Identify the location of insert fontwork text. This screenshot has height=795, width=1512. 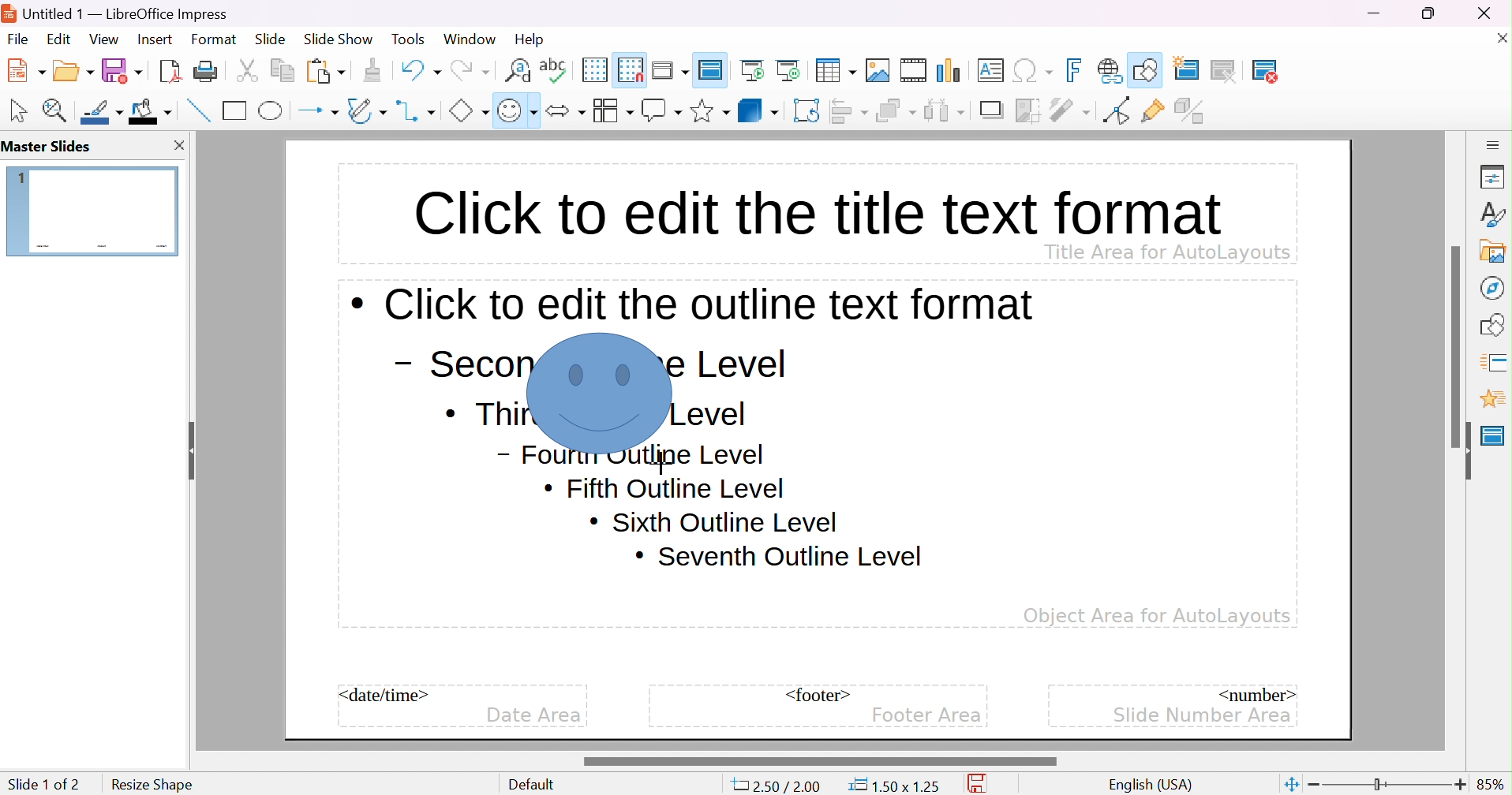
(1076, 70).